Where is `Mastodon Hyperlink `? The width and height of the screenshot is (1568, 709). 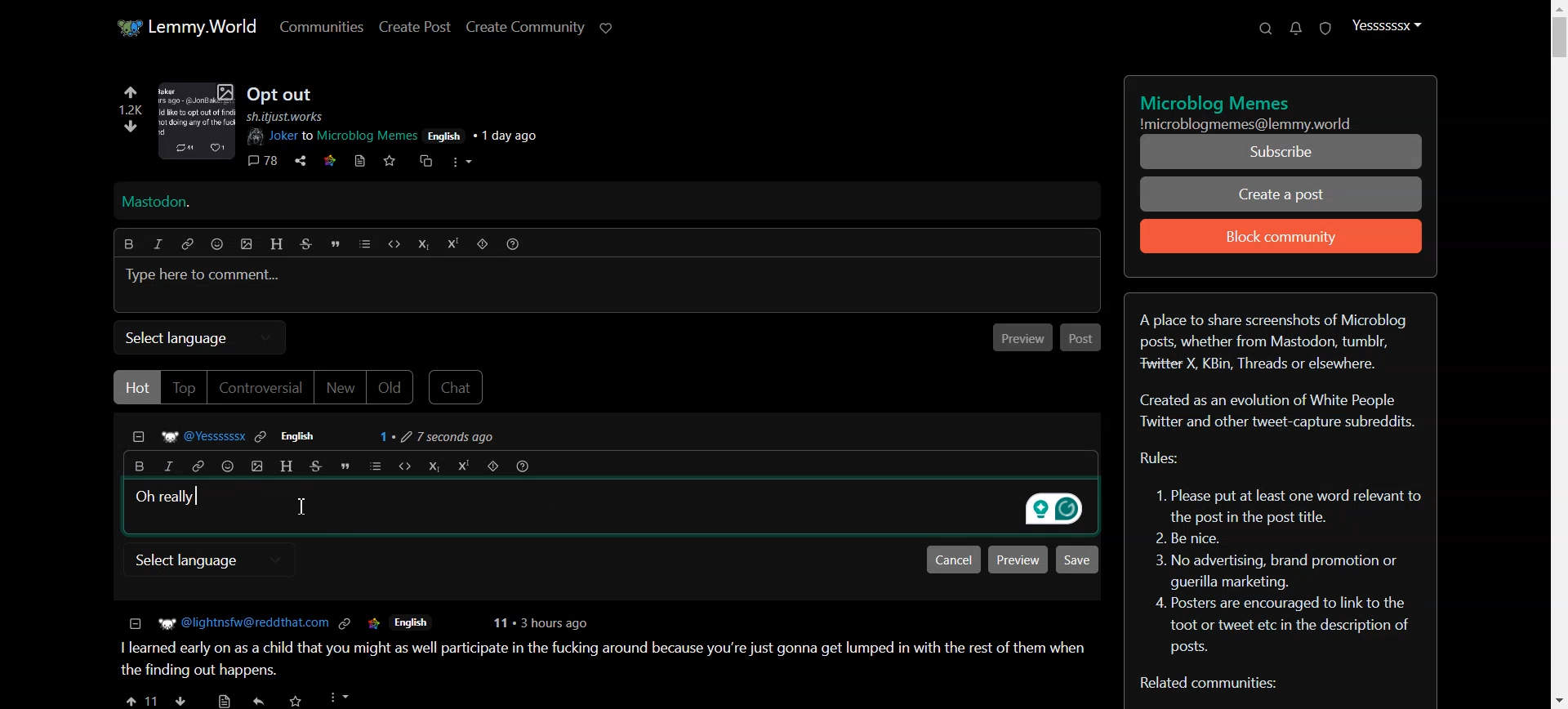 Mastodon Hyperlink  is located at coordinates (609, 200).